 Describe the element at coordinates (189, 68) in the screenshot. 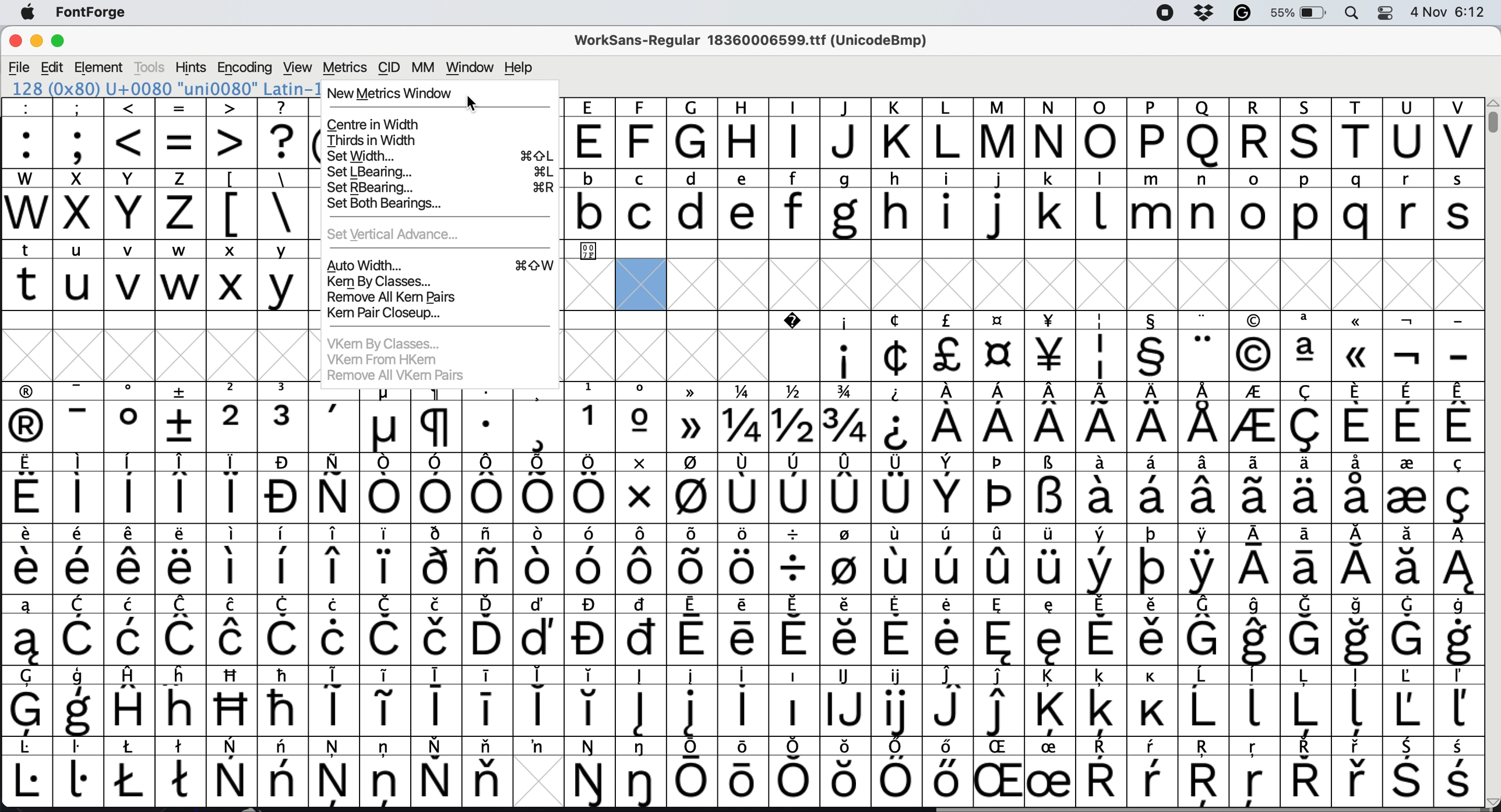

I see `Hints` at that location.